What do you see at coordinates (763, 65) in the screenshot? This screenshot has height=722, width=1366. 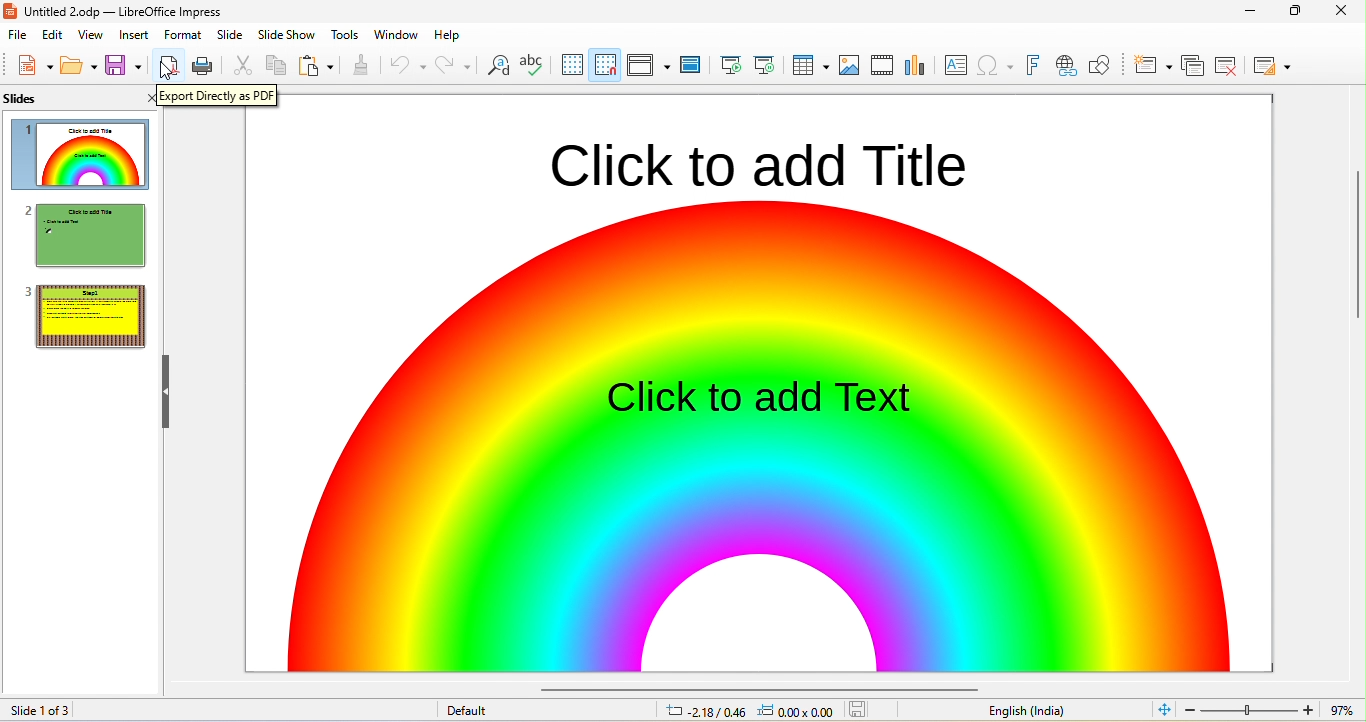 I see `start from current ` at bounding box center [763, 65].